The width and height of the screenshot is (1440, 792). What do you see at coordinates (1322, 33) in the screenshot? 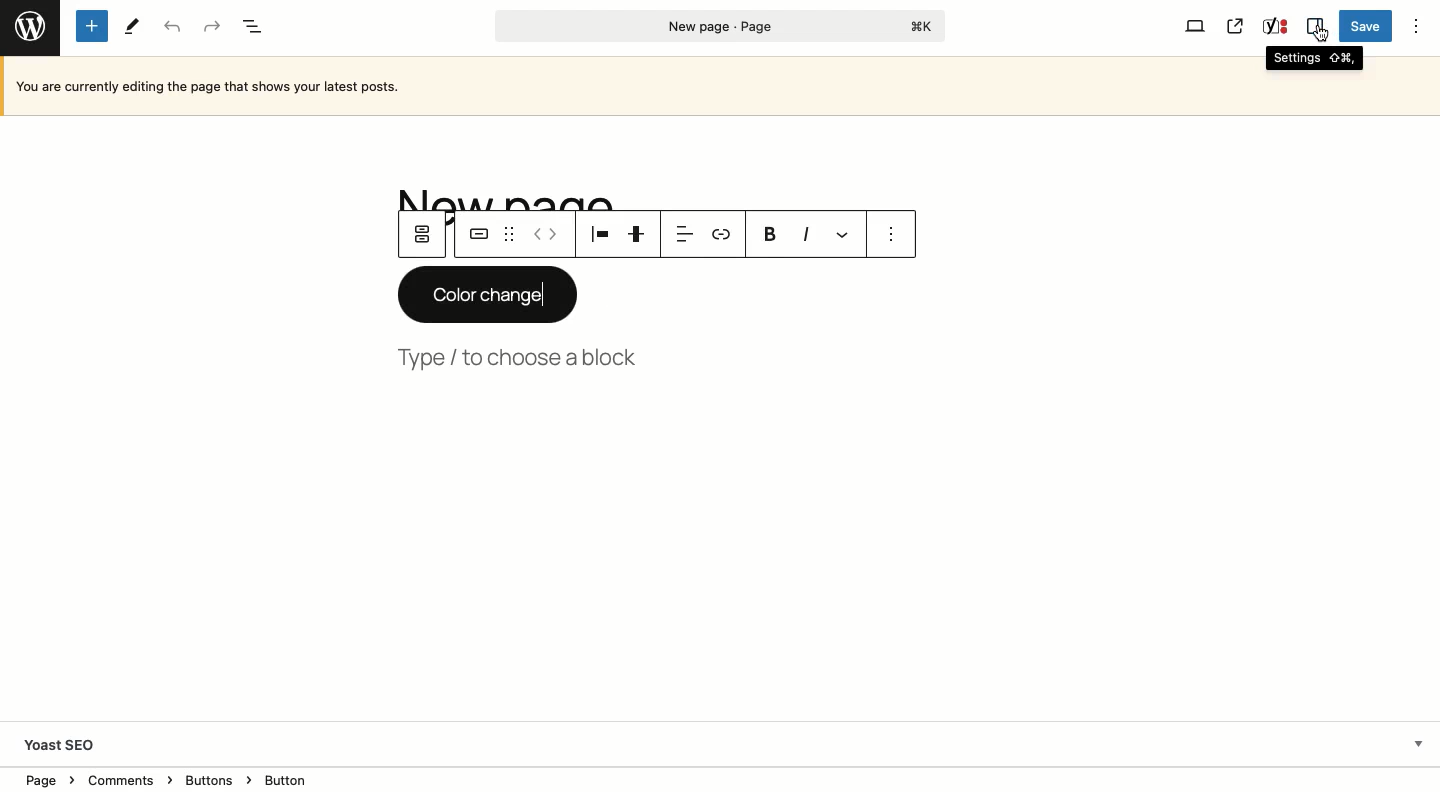
I see `cursor` at bounding box center [1322, 33].